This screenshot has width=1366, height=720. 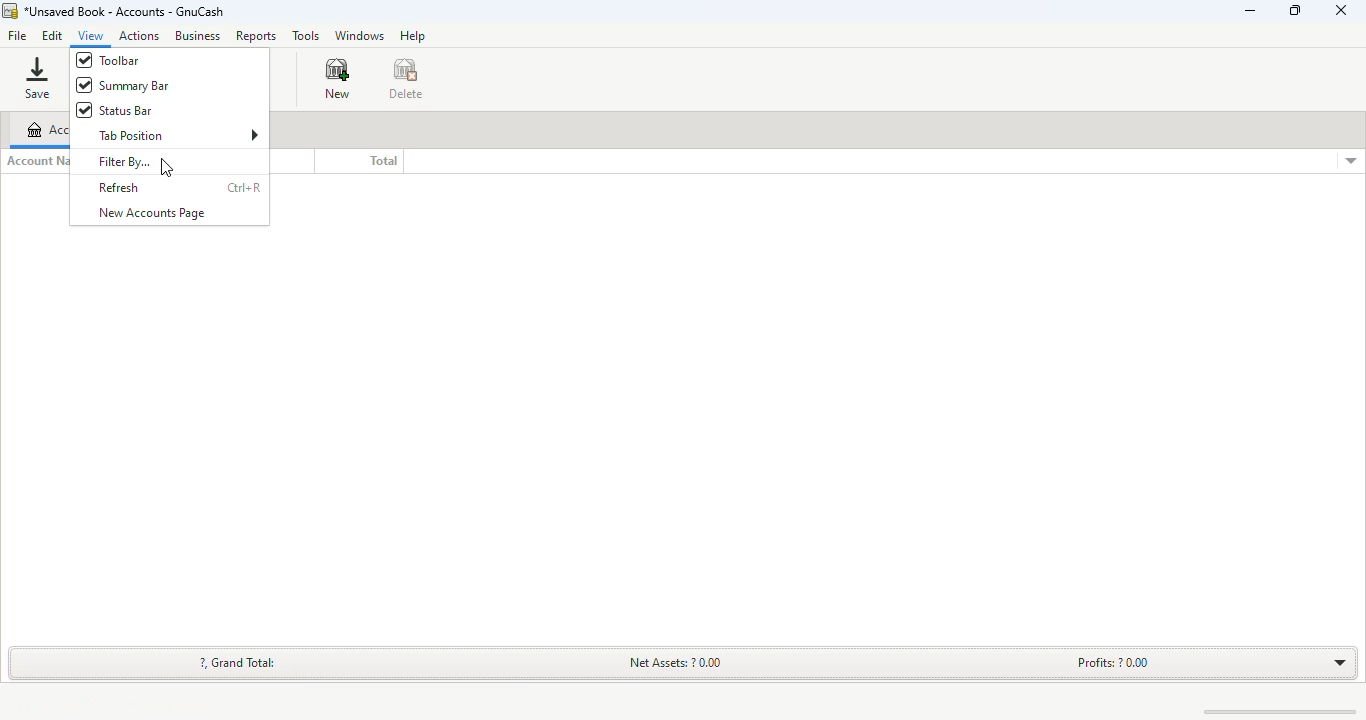 I want to click on Profits: ?0.00, so click(x=1113, y=662).